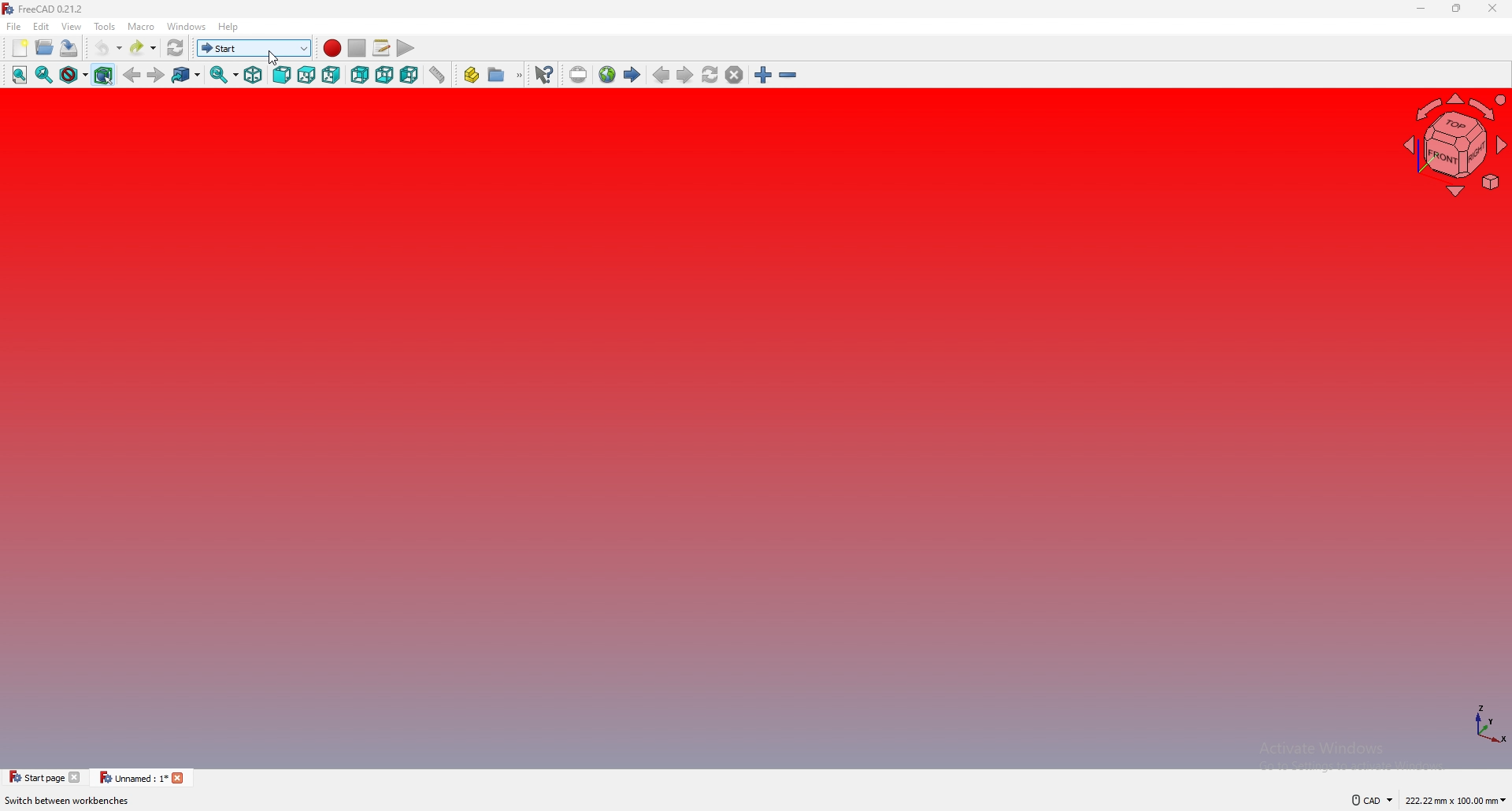 The width and height of the screenshot is (1512, 811). Describe the element at coordinates (272, 57) in the screenshot. I see `cursor` at that location.